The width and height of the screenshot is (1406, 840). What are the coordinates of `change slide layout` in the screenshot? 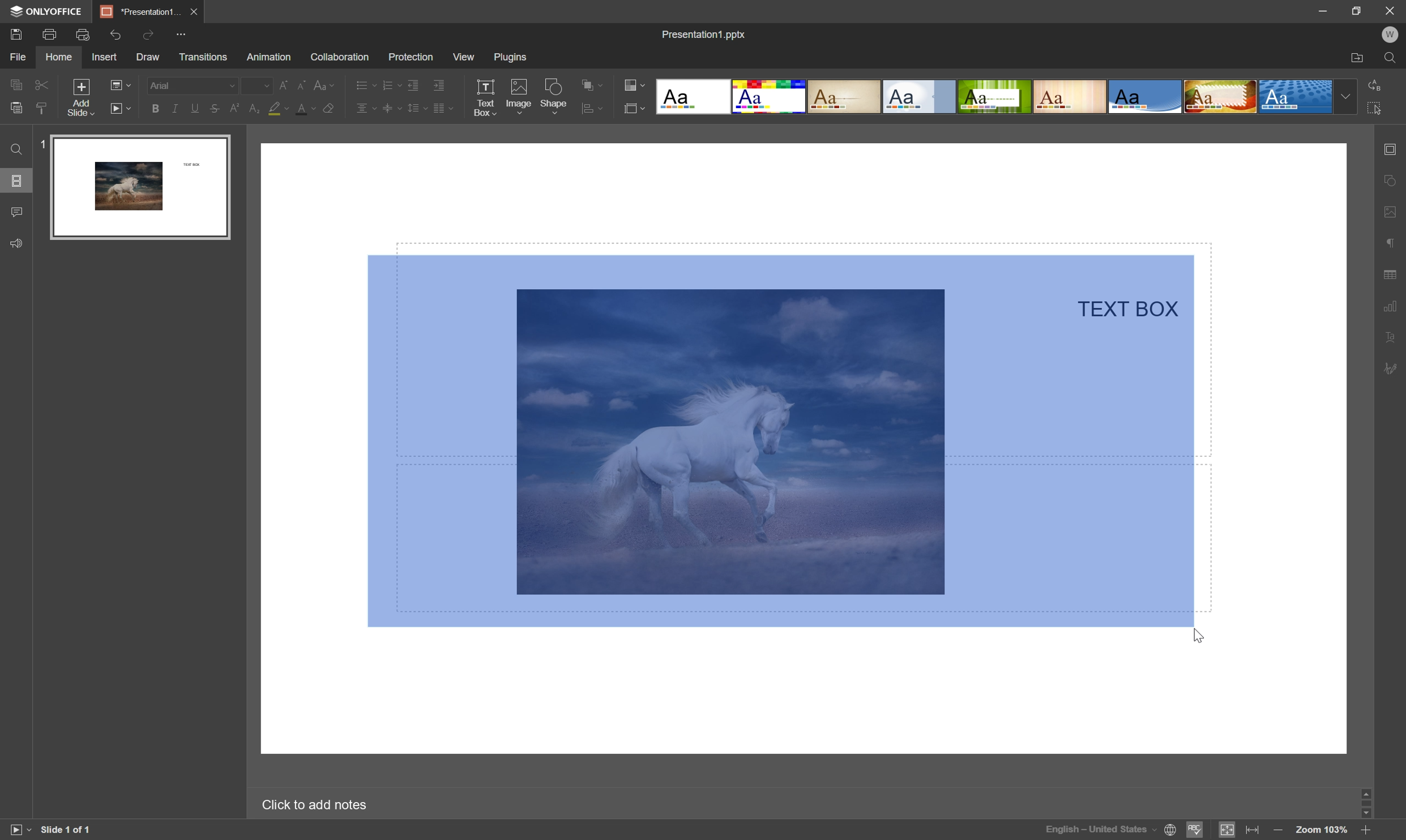 It's located at (119, 84).